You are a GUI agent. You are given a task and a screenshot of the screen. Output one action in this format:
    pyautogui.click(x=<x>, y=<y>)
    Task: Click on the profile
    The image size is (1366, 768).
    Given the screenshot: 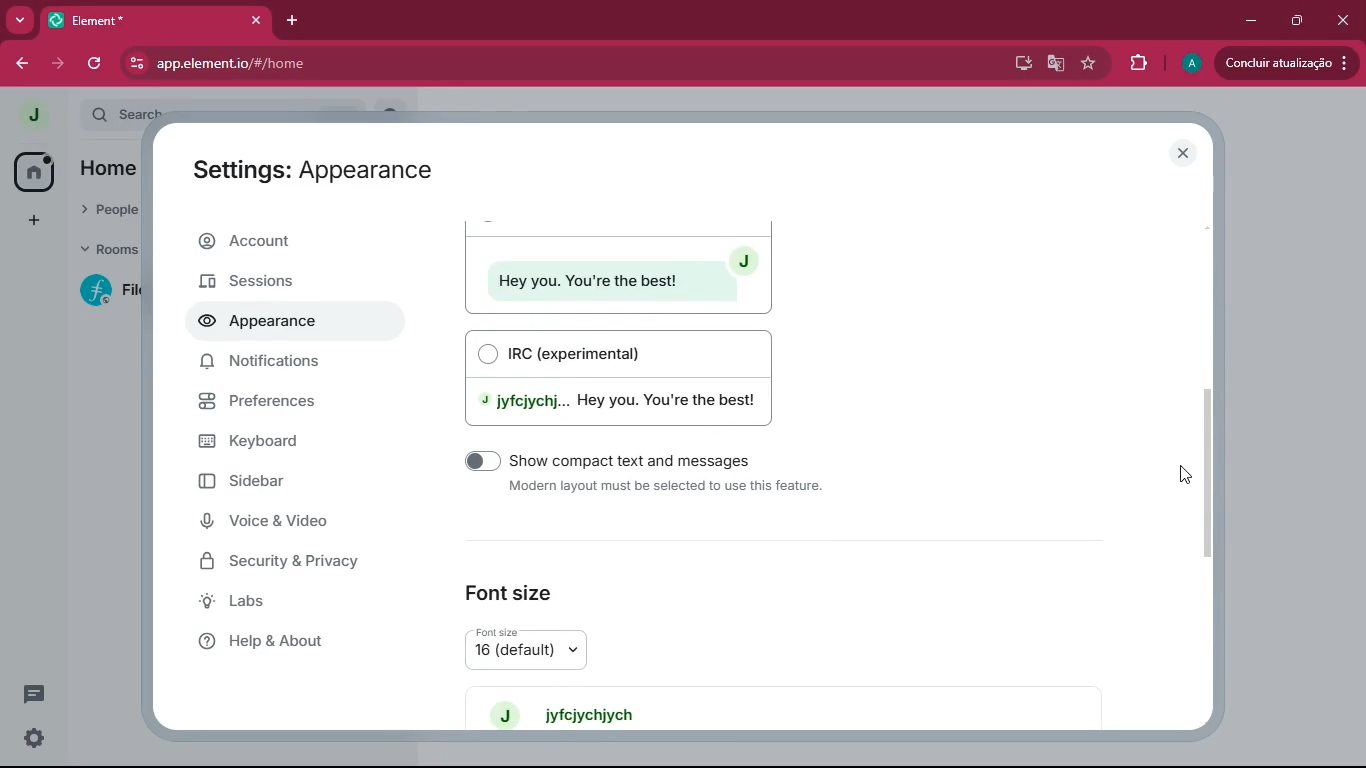 What is the action you would take?
    pyautogui.click(x=1188, y=65)
    